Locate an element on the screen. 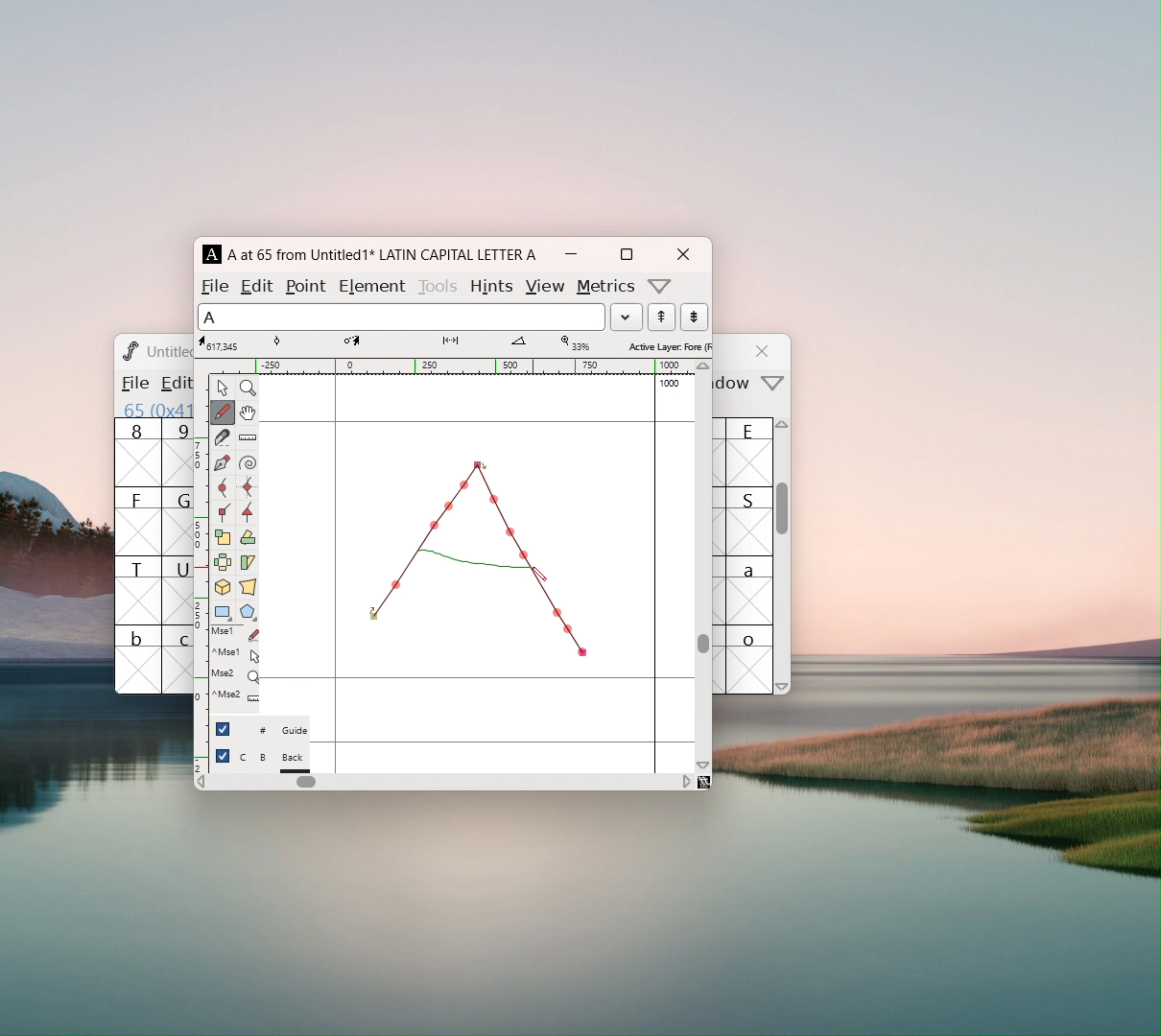 The height and width of the screenshot is (1036, 1161). flip selection is located at coordinates (223, 565).